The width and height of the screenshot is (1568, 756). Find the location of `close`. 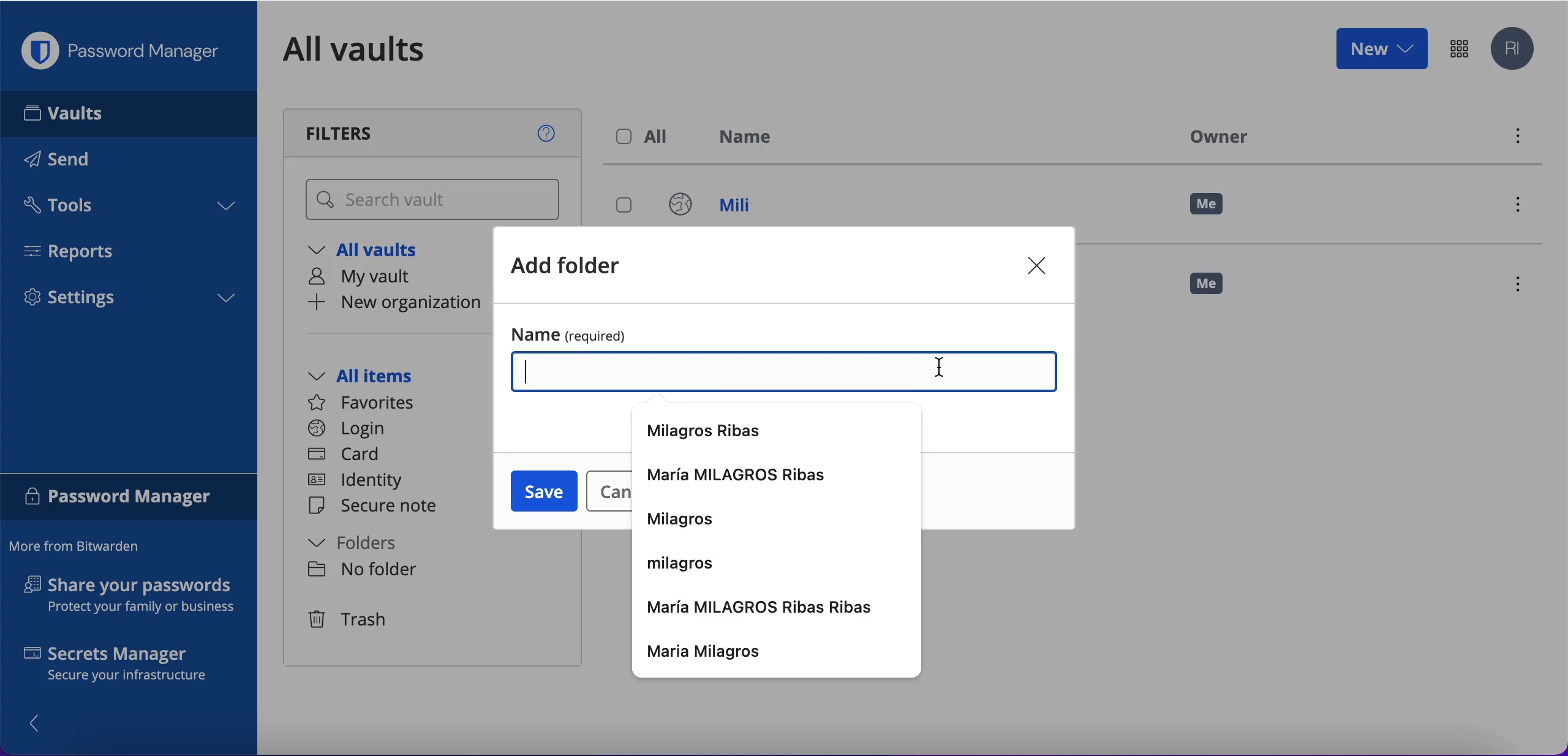

close is located at coordinates (1040, 267).